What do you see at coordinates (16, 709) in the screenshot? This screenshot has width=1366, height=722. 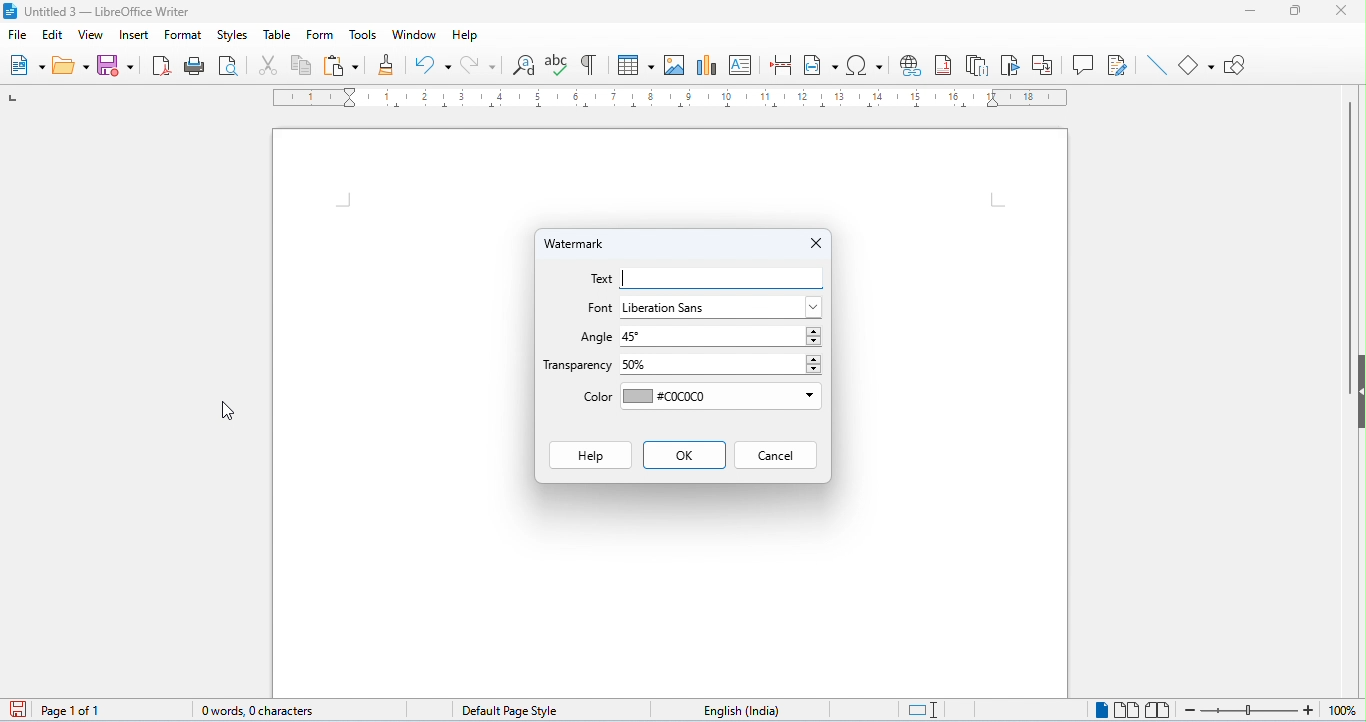 I see `save` at bounding box center [16, 709].